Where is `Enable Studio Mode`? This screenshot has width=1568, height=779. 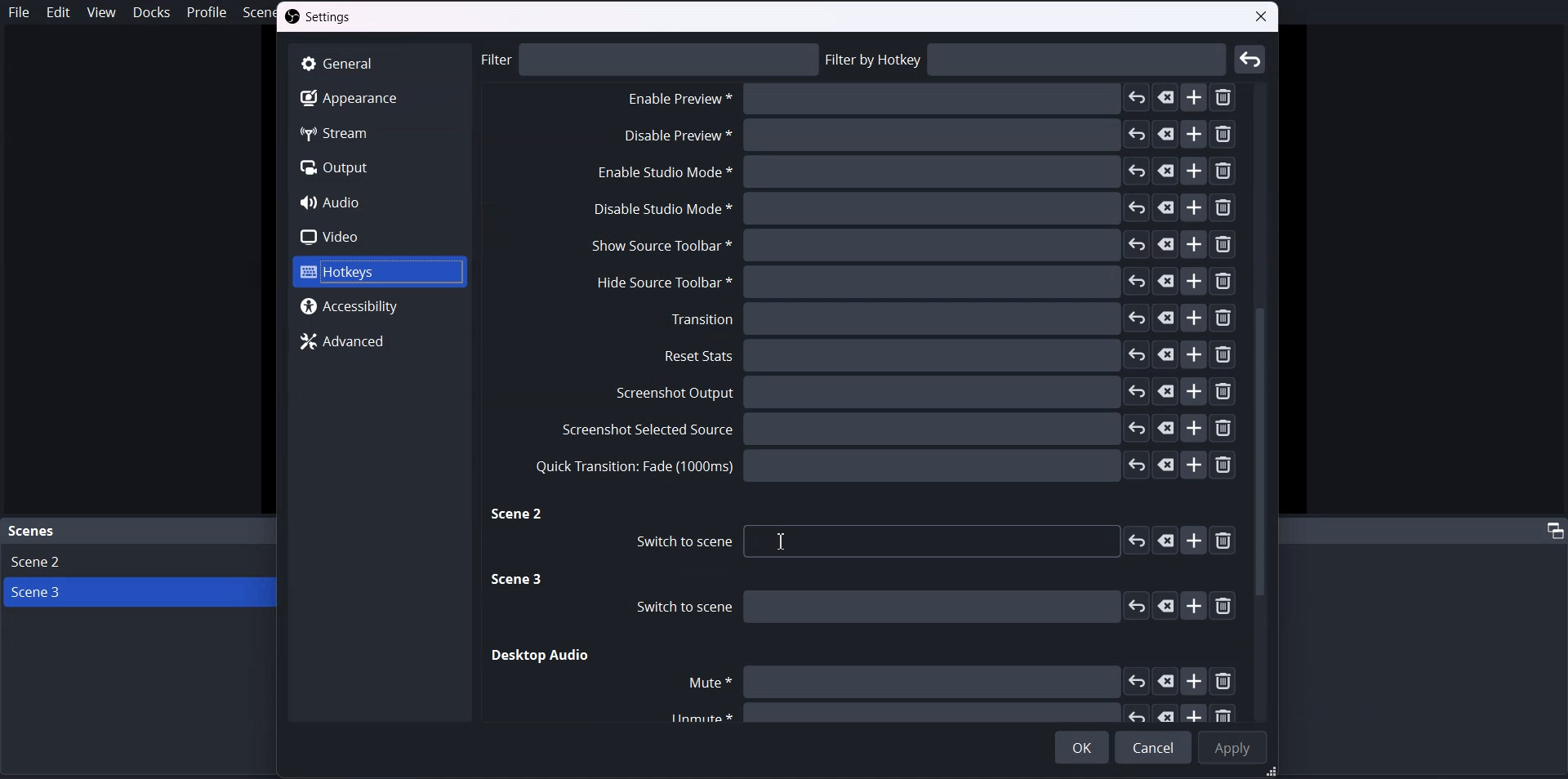
Enable Studio Mode is located at coordinates (912, 174).